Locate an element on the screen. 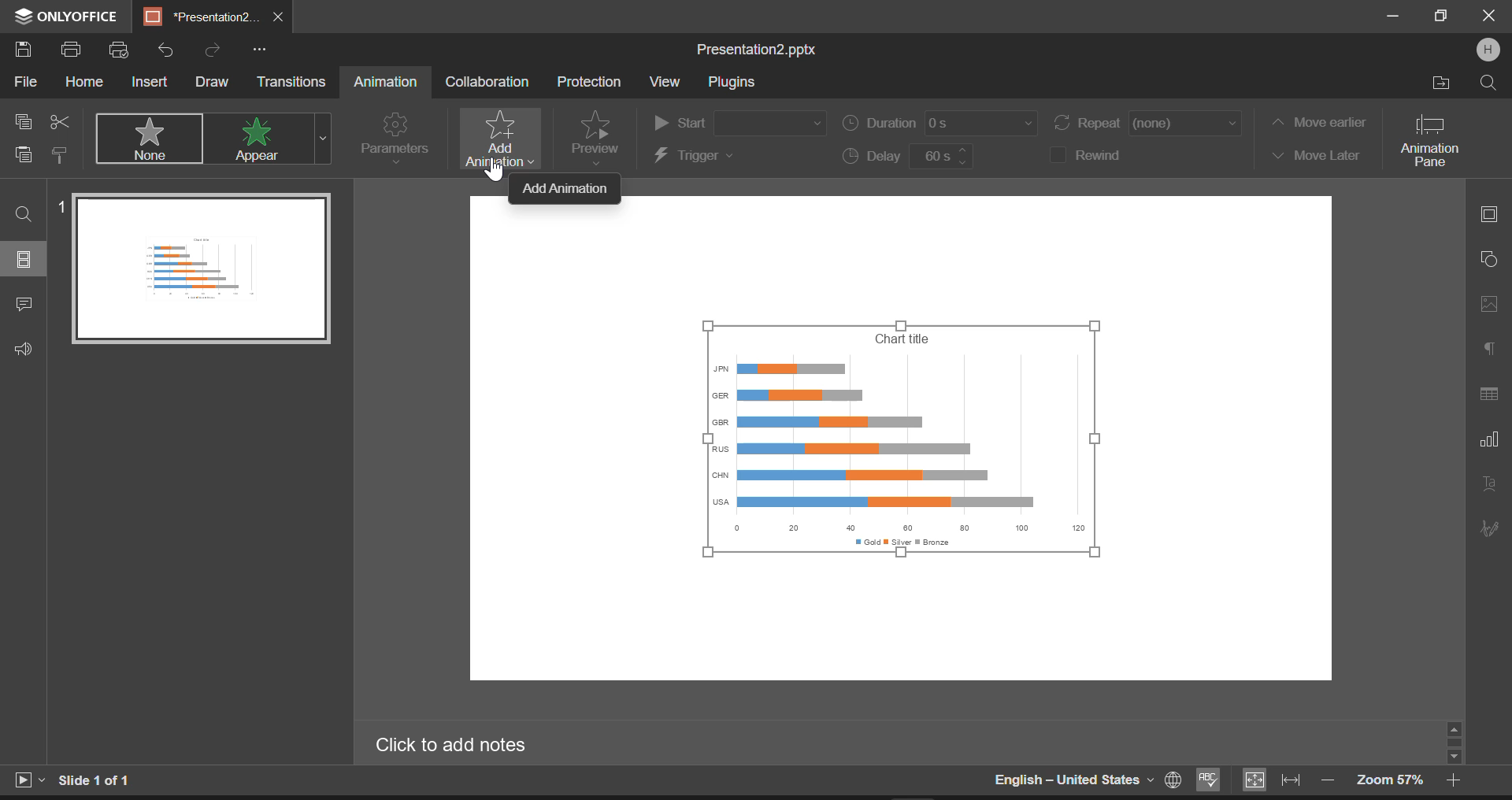 This screenshot has width=1512, height=800. Fit to width is located at coordinates (1291, 780).